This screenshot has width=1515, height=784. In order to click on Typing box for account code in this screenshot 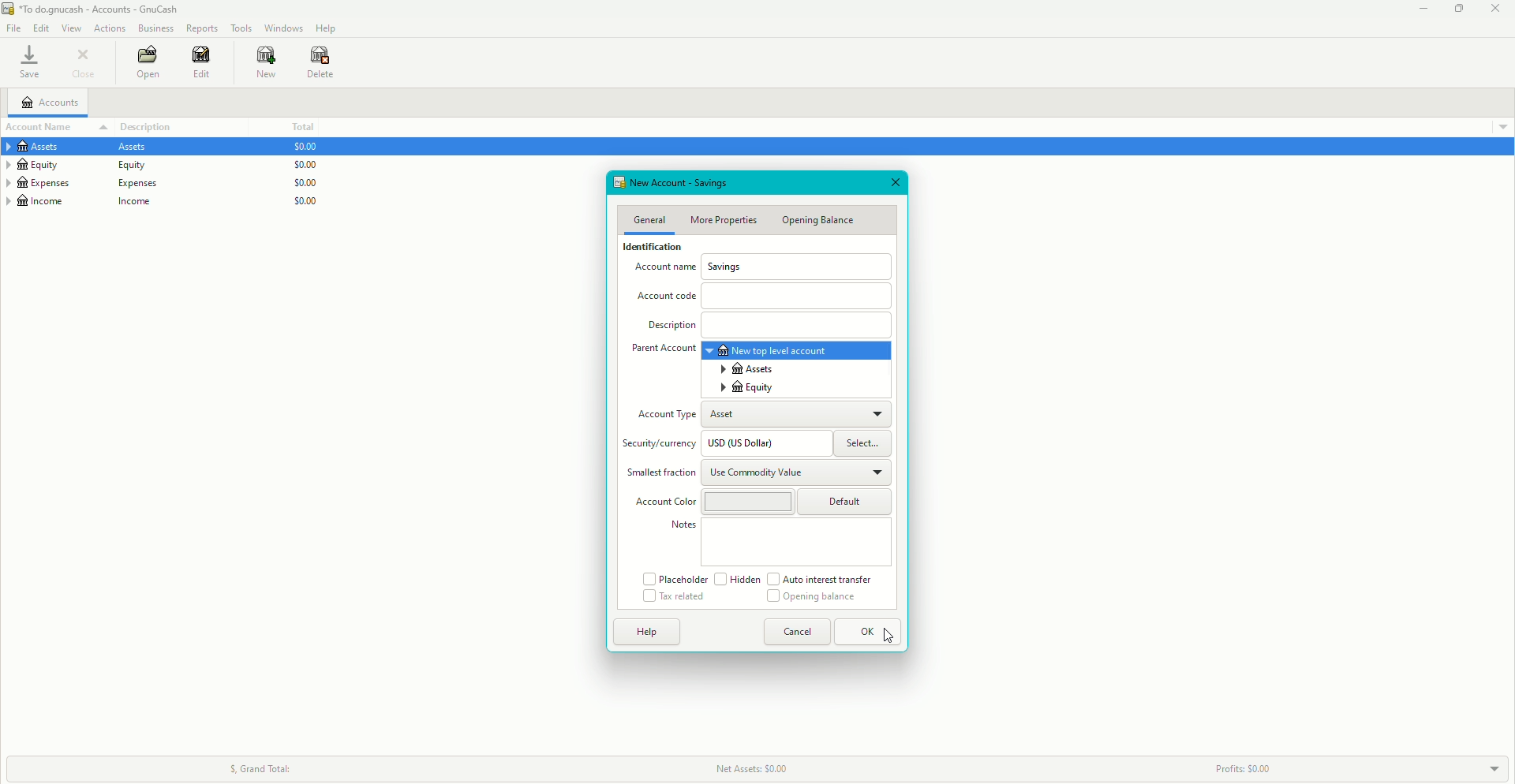, I will do `click(799, 294)`.